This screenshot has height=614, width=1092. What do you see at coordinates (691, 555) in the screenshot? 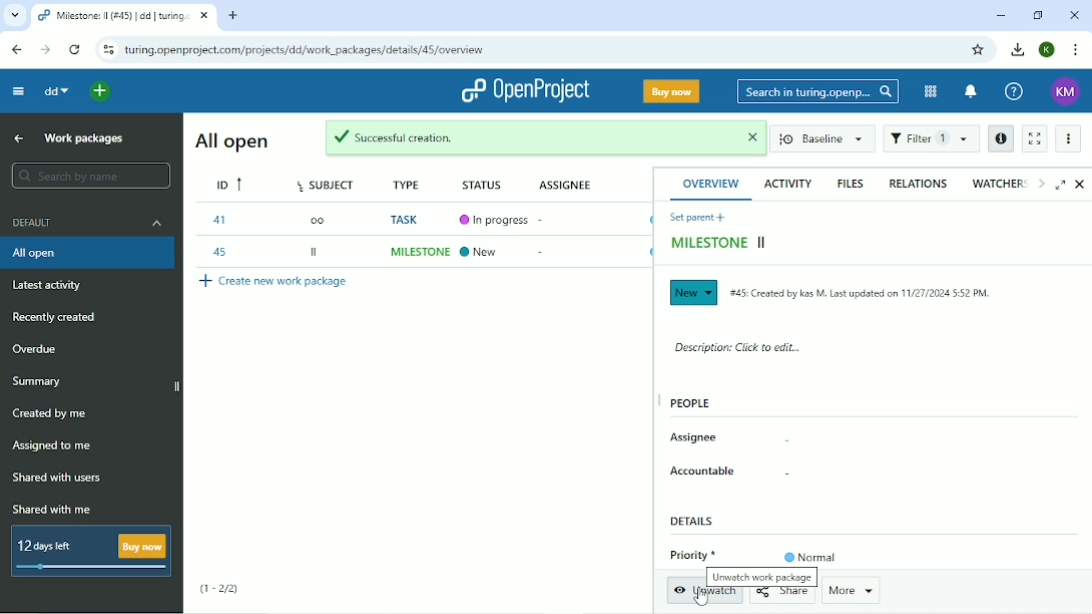
I see `Priority` at bounding box center [691, 555].